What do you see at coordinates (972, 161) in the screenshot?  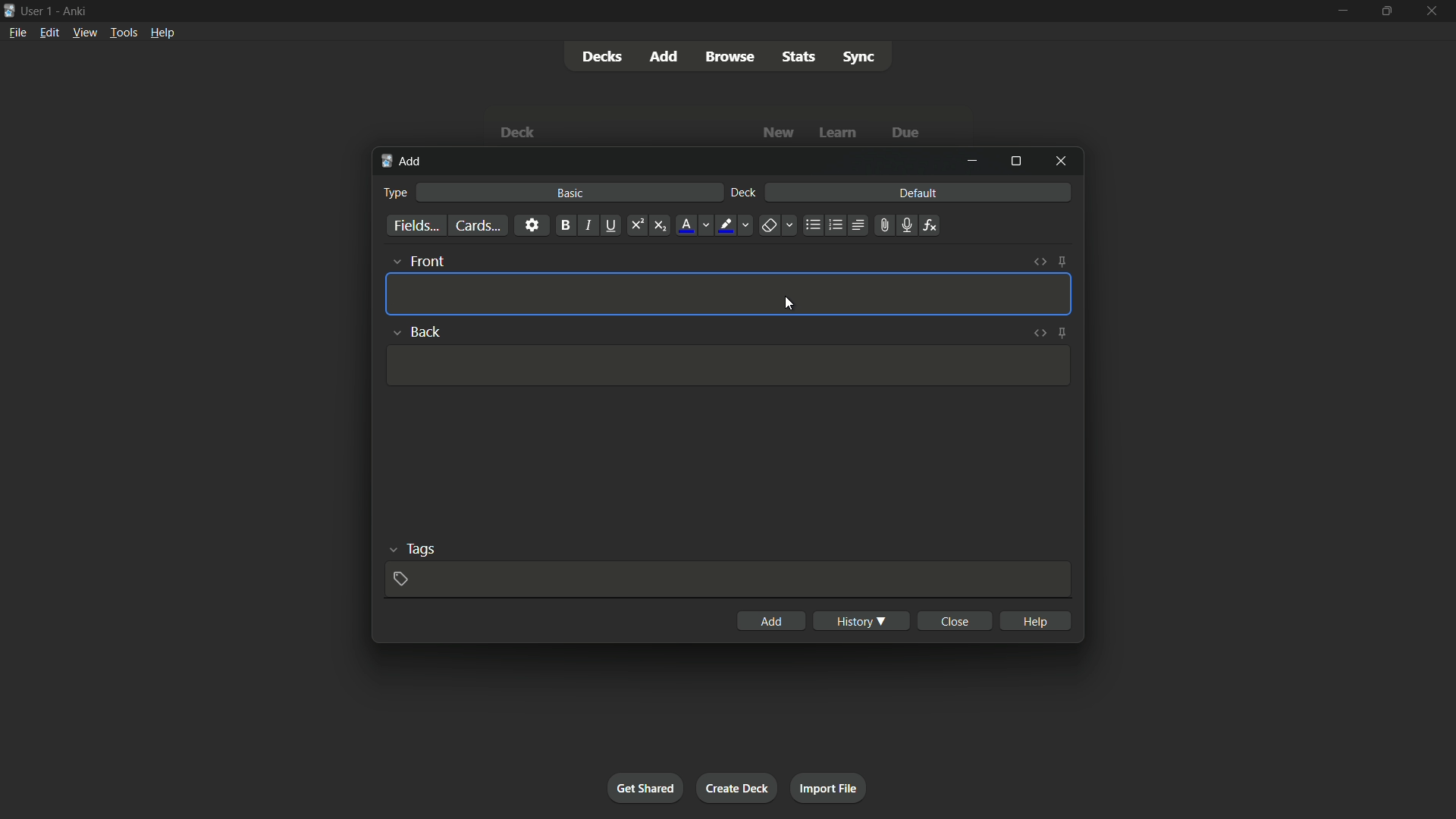 I see `minimize` at bounding box center [972, 161].